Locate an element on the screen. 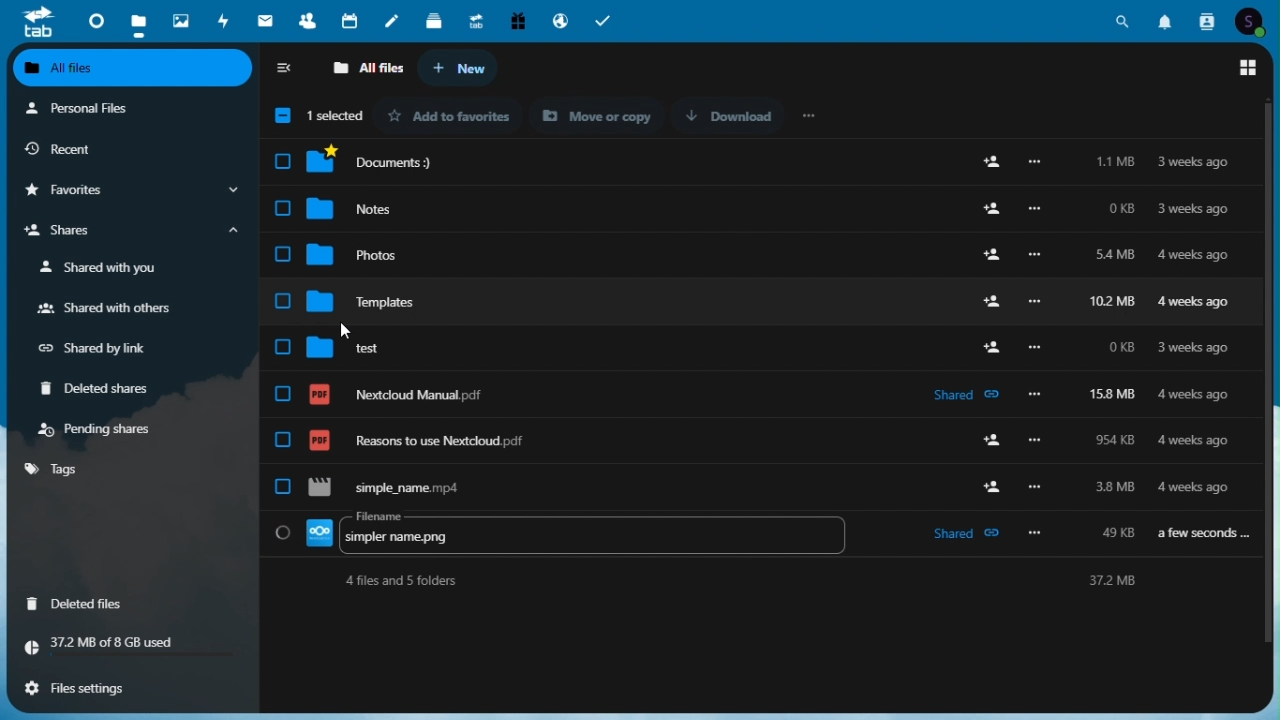  deck is located at coordinates (436, 18).